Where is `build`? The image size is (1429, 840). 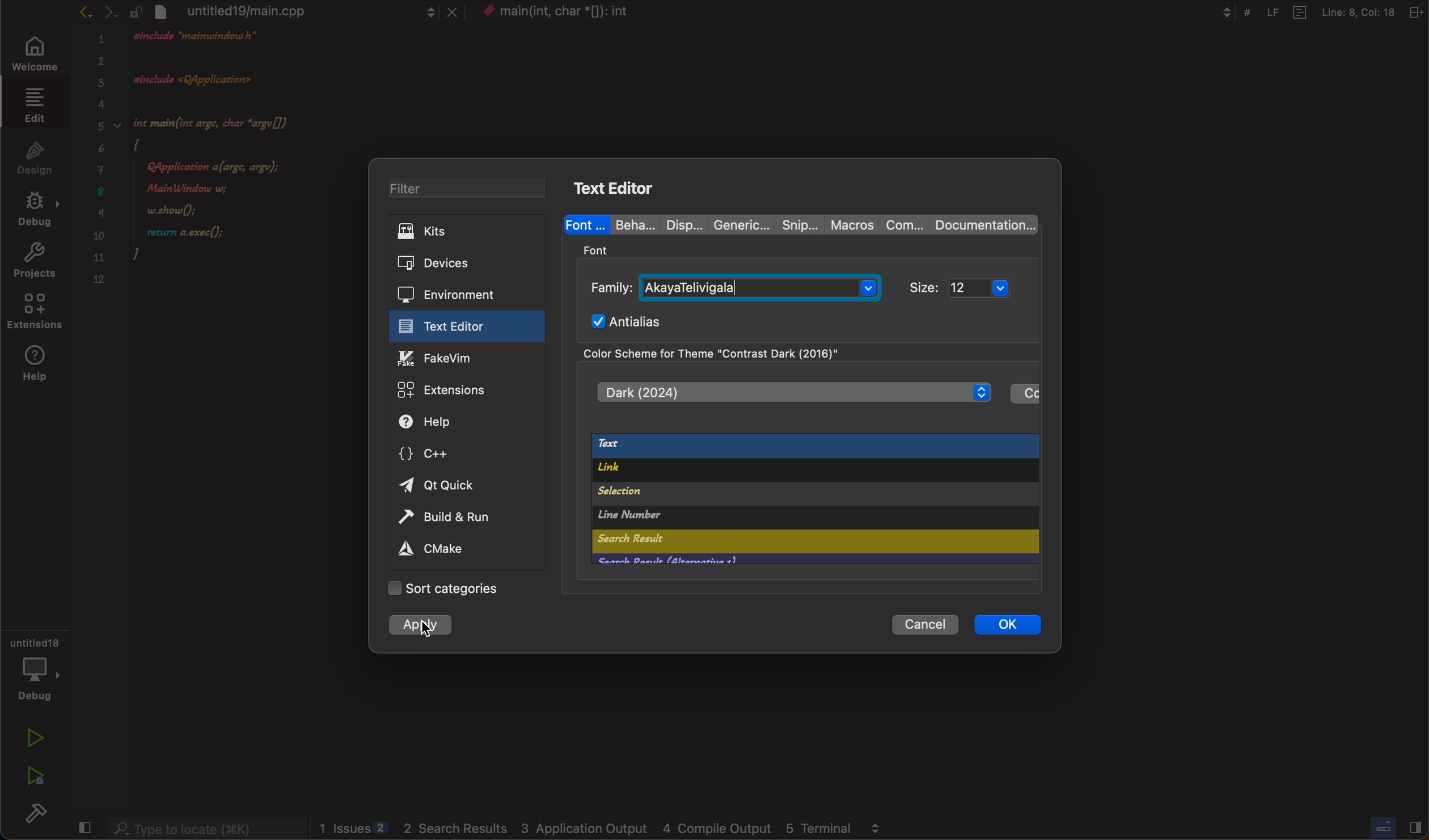
build is located at coordinates (37, 812).